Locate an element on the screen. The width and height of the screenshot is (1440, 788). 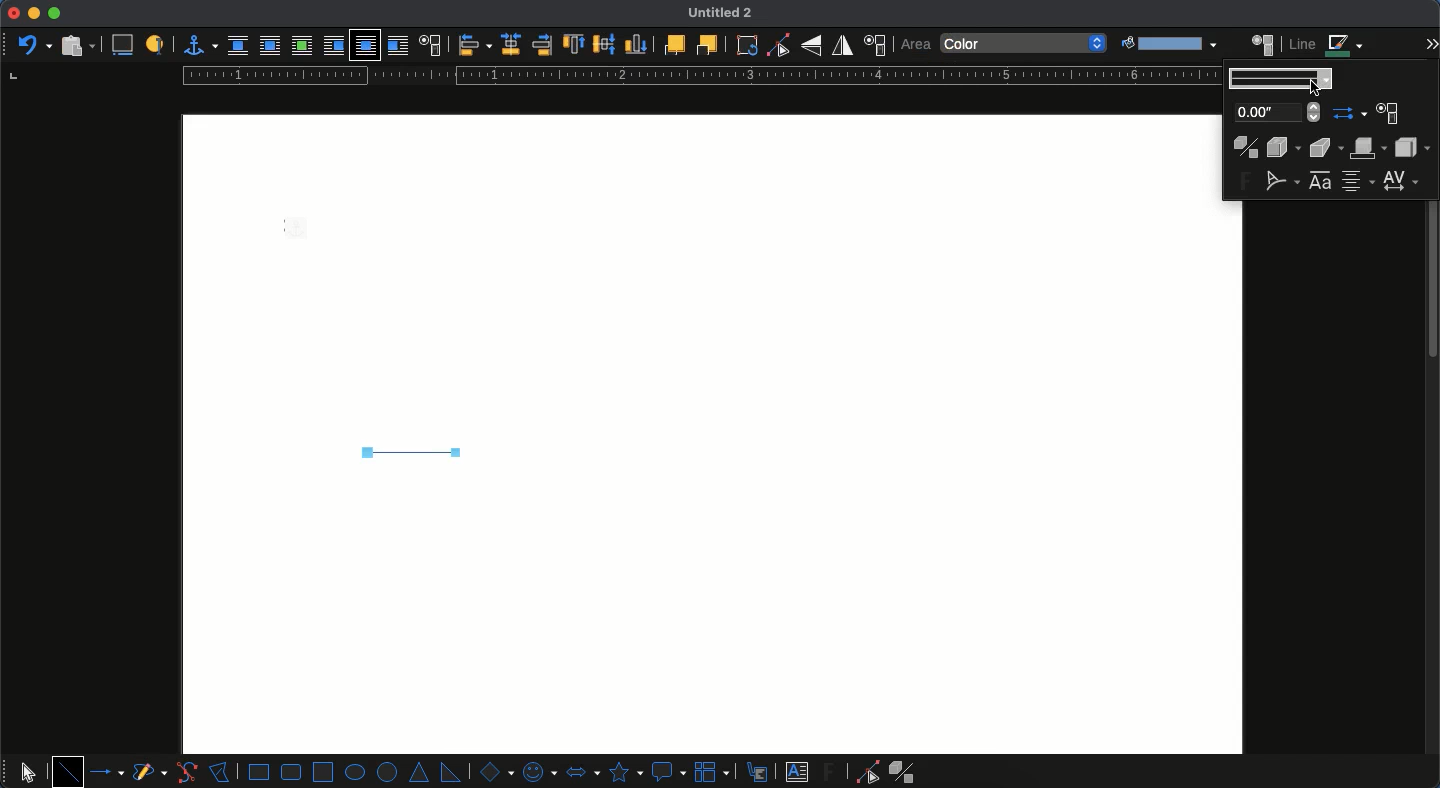
color is located at coordinates (1025, 44).